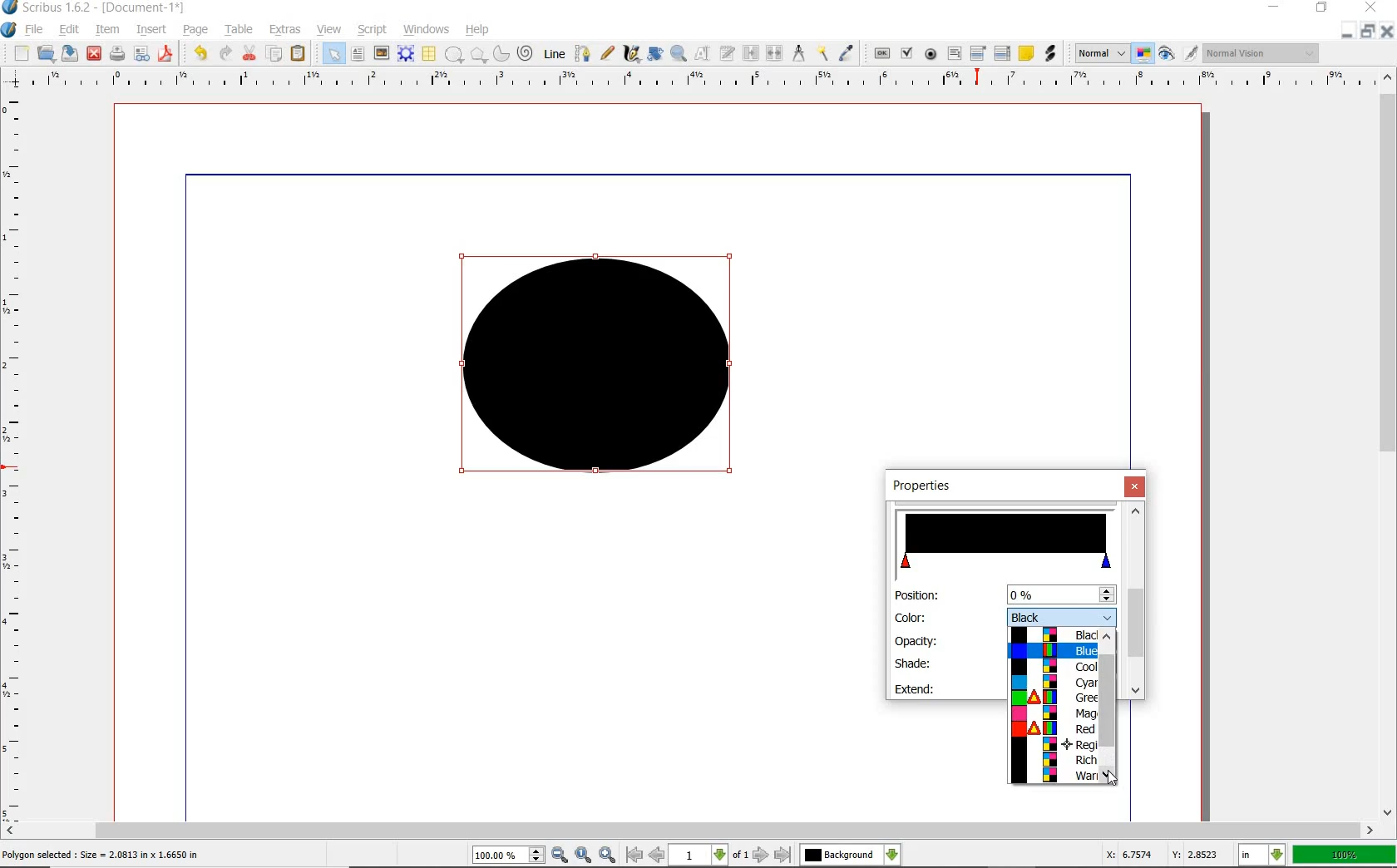  What do you see at coordinates (510, 856) in the screenshot?
I see `zoom ` at bounding box center [510, 856].